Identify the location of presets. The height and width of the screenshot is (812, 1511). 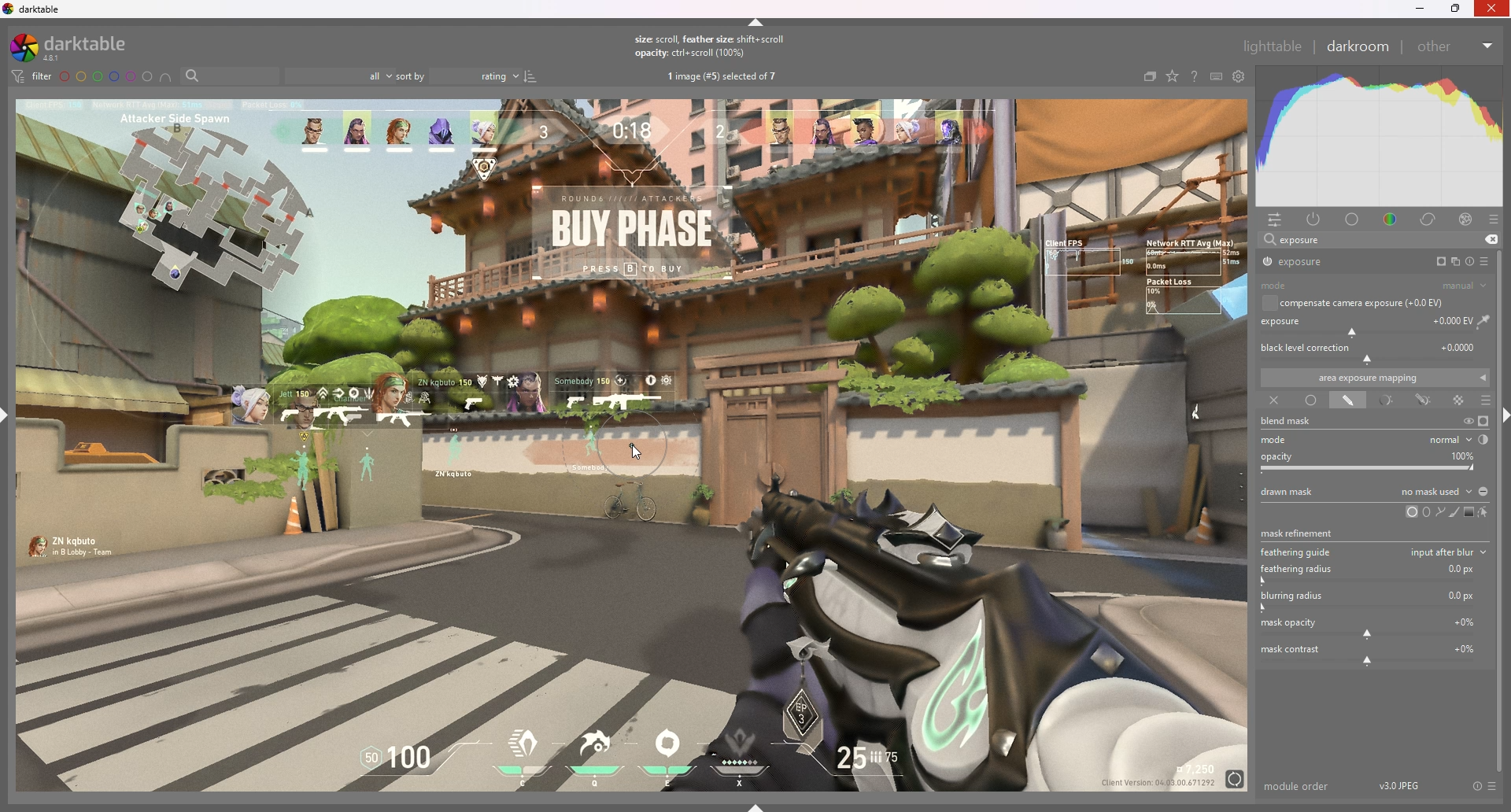
(1486, 261).